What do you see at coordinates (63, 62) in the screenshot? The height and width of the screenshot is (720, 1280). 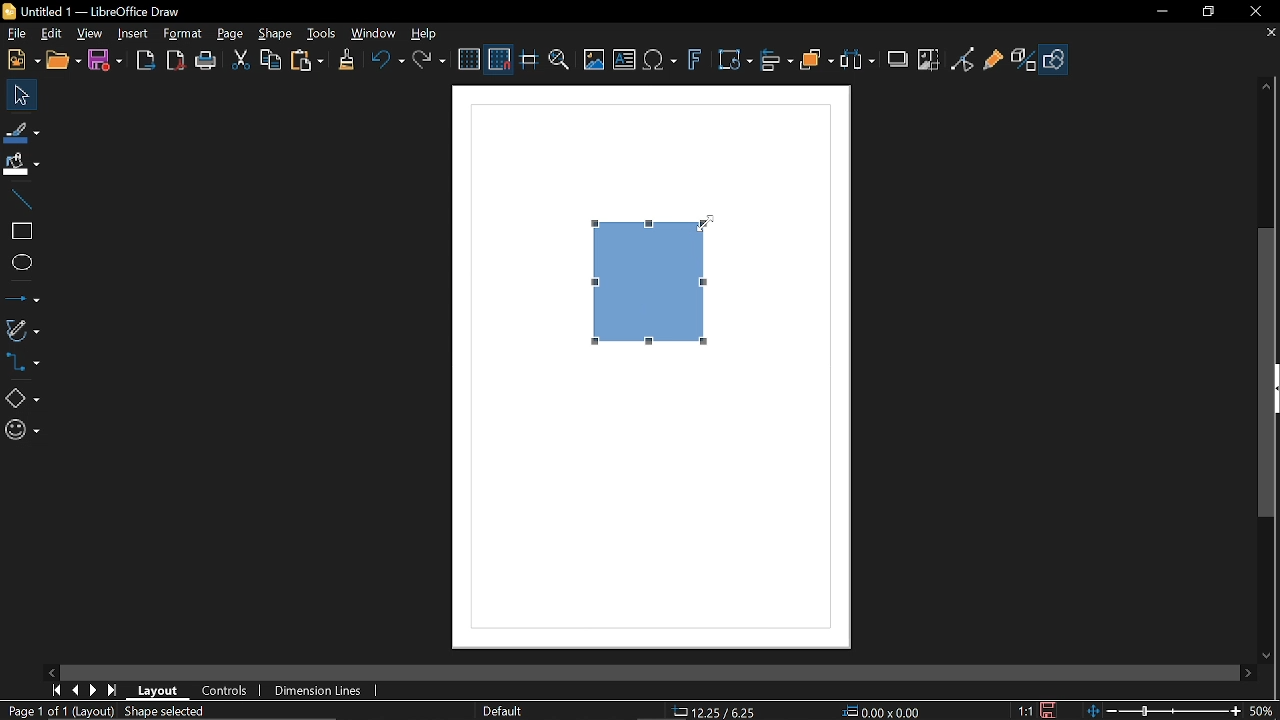 I see `Open` at bounding box center [63, 62].